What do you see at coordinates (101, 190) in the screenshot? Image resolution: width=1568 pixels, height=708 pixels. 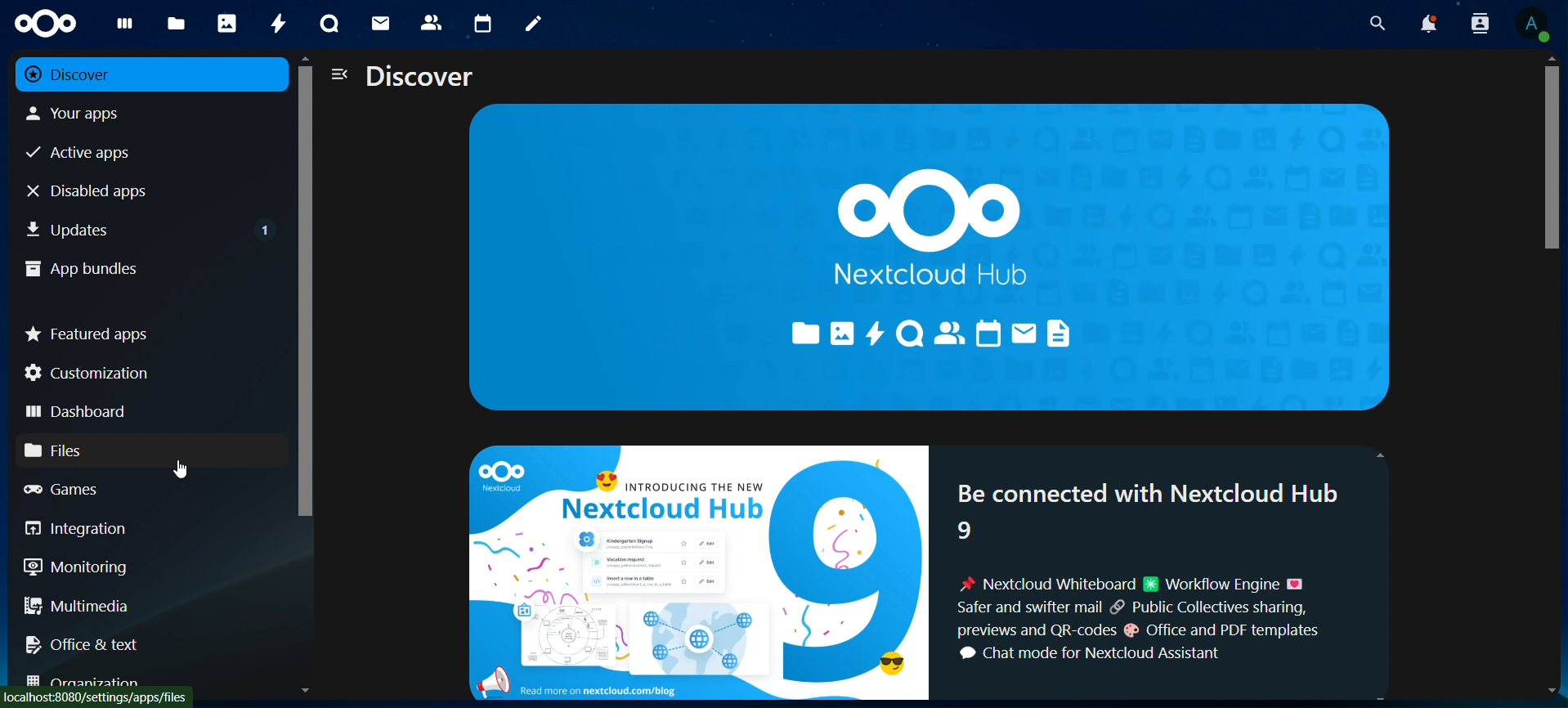 I see `disabled apps` at bounding box center [101, 190].